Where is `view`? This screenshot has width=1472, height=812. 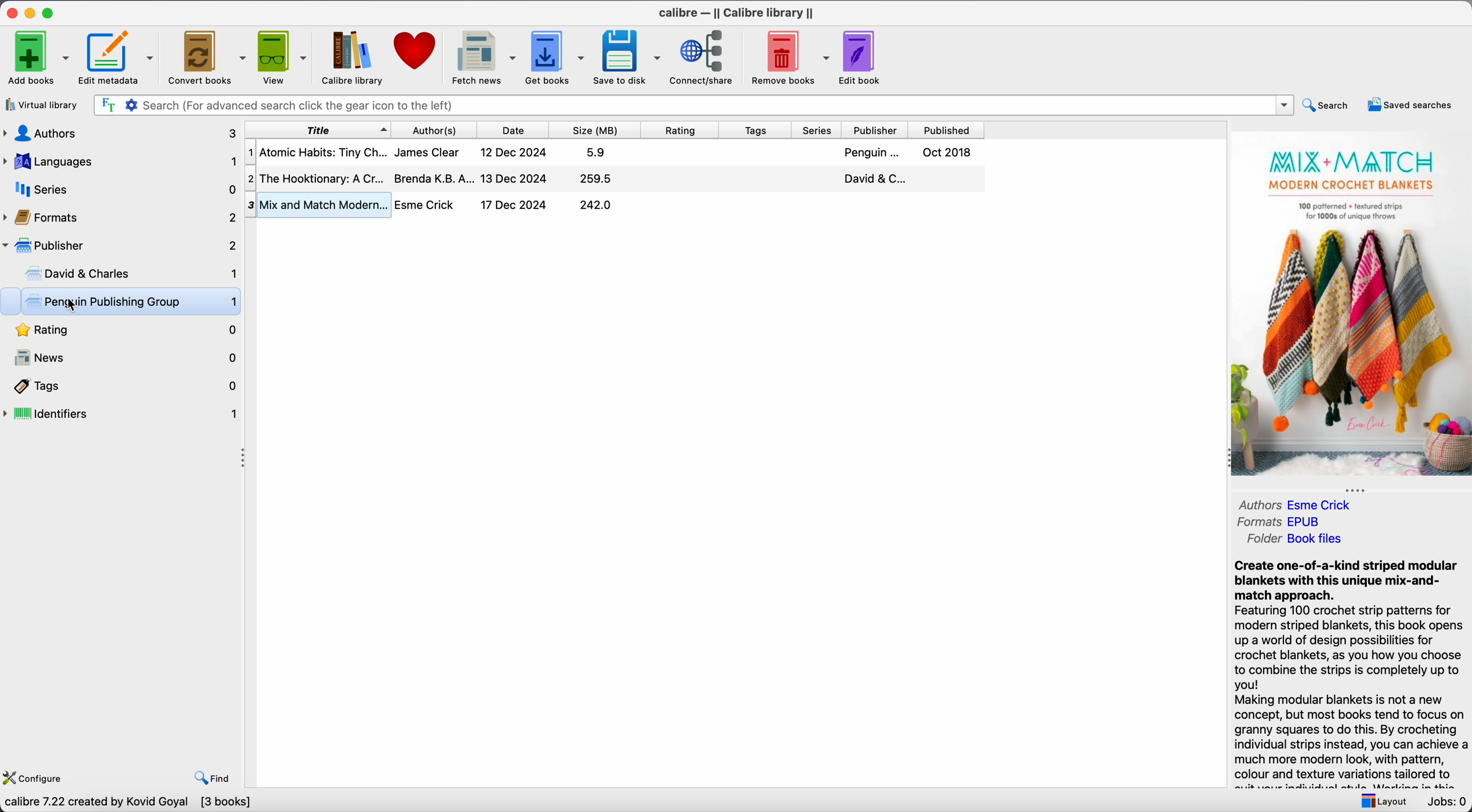 view is located at coordinates (283, 57).